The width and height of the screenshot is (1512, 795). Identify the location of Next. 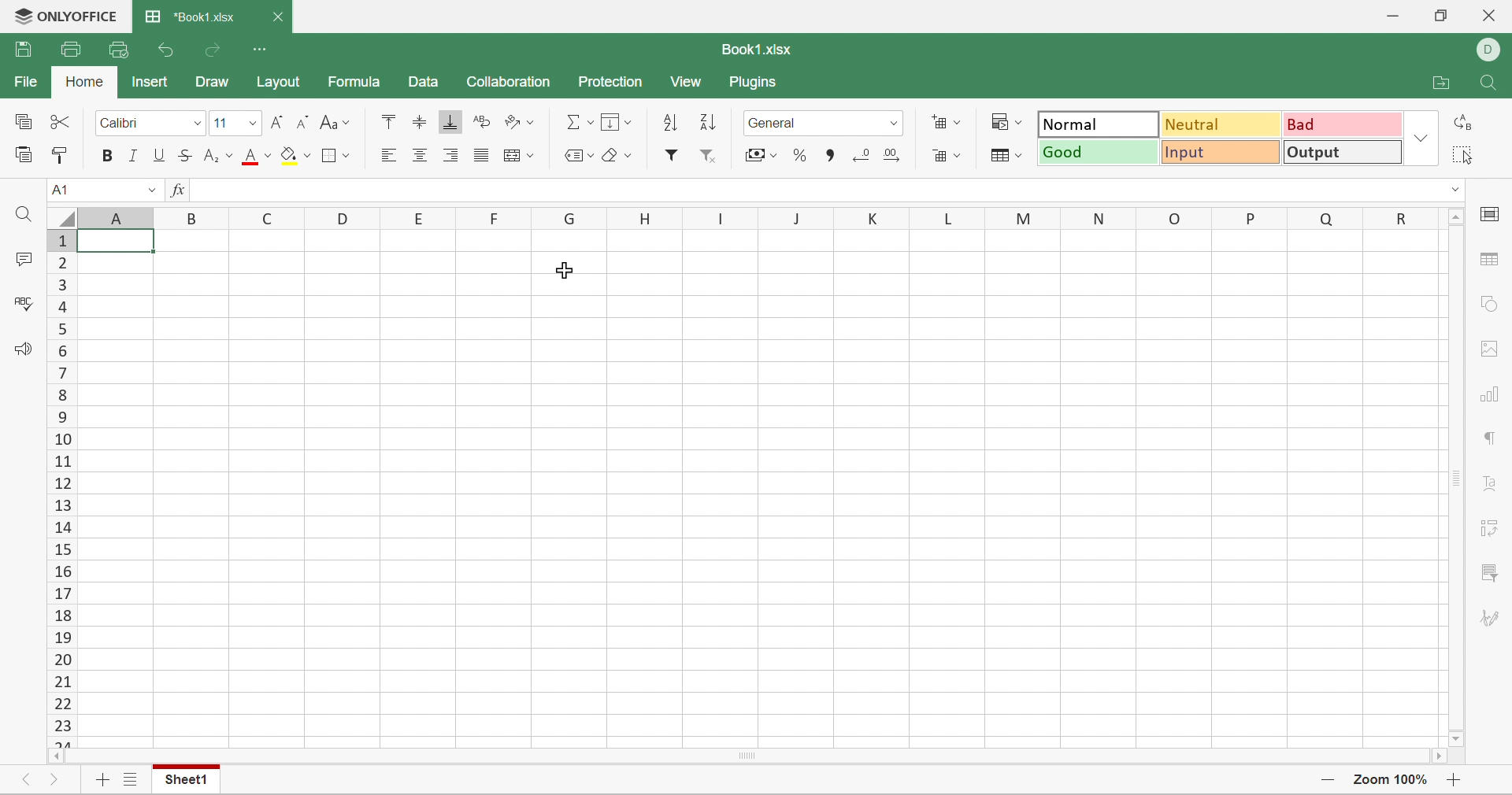
(51, 782).